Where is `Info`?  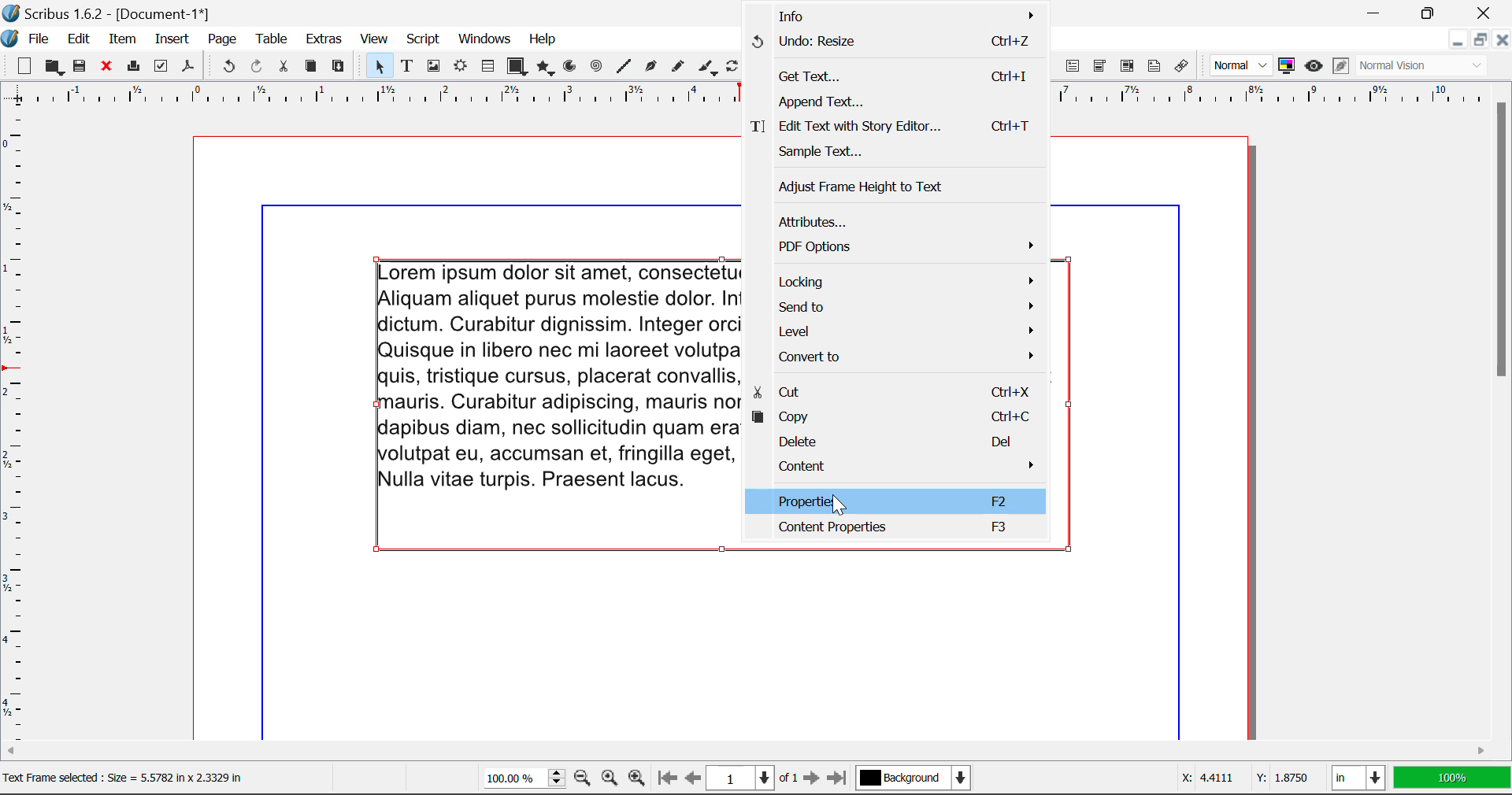
Info is located at coordinates (891, 15).